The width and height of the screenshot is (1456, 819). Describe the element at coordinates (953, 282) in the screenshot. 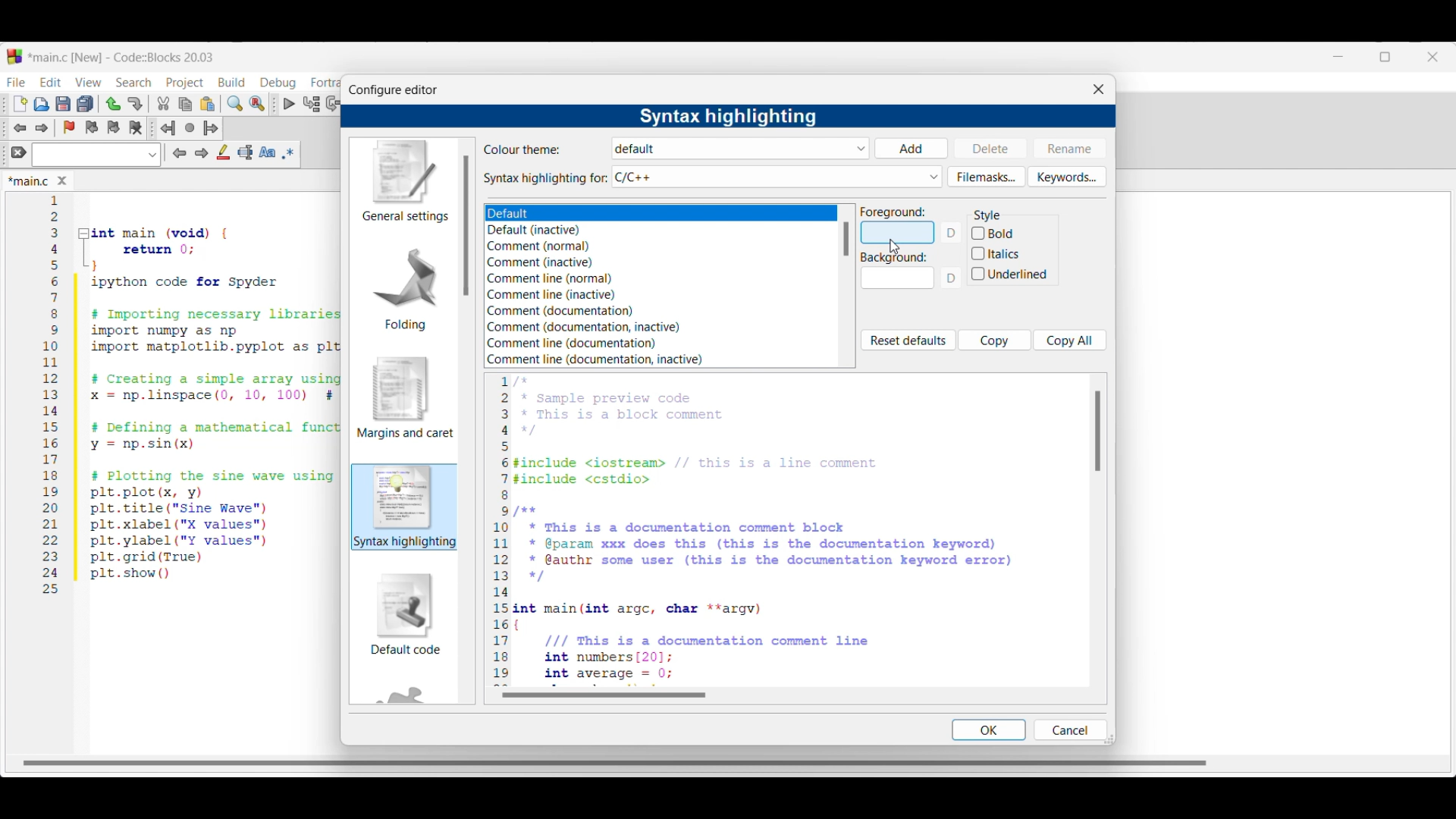

I see `D` at that location.